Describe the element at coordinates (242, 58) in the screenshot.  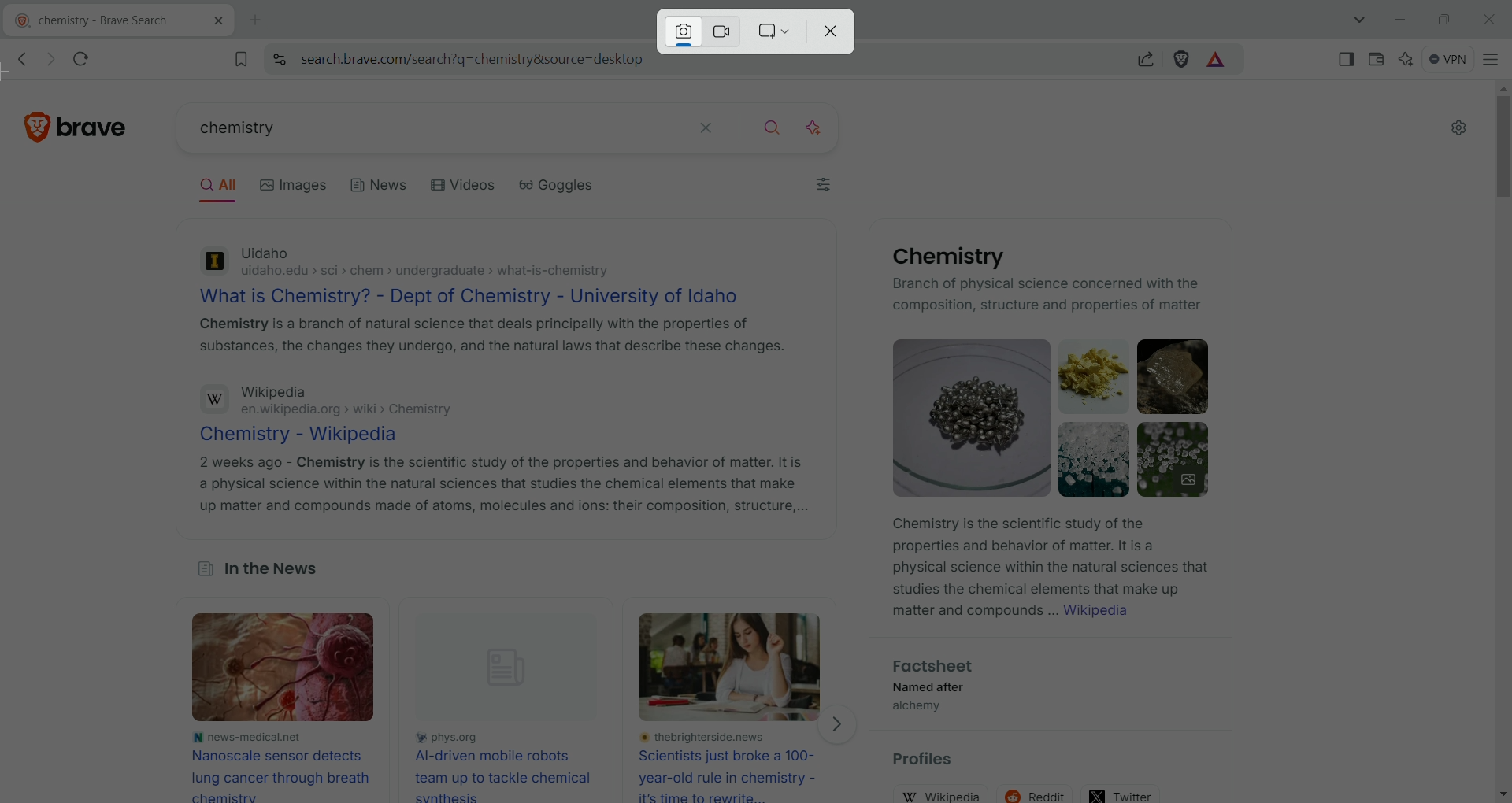
I see `bookmark this tab` at that location.